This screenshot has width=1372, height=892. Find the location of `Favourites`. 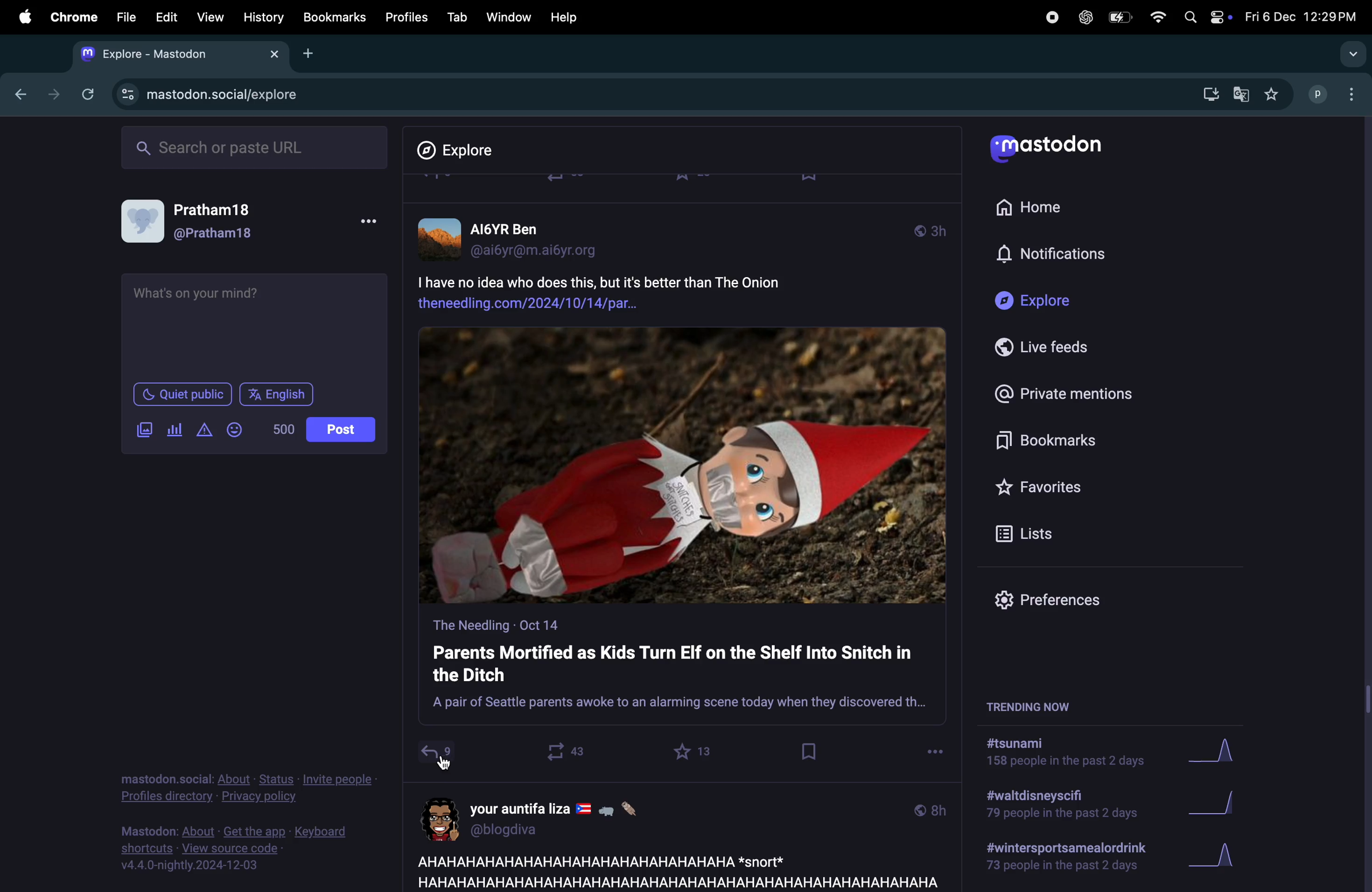

Favourites is located at coordinates (1042, 486).